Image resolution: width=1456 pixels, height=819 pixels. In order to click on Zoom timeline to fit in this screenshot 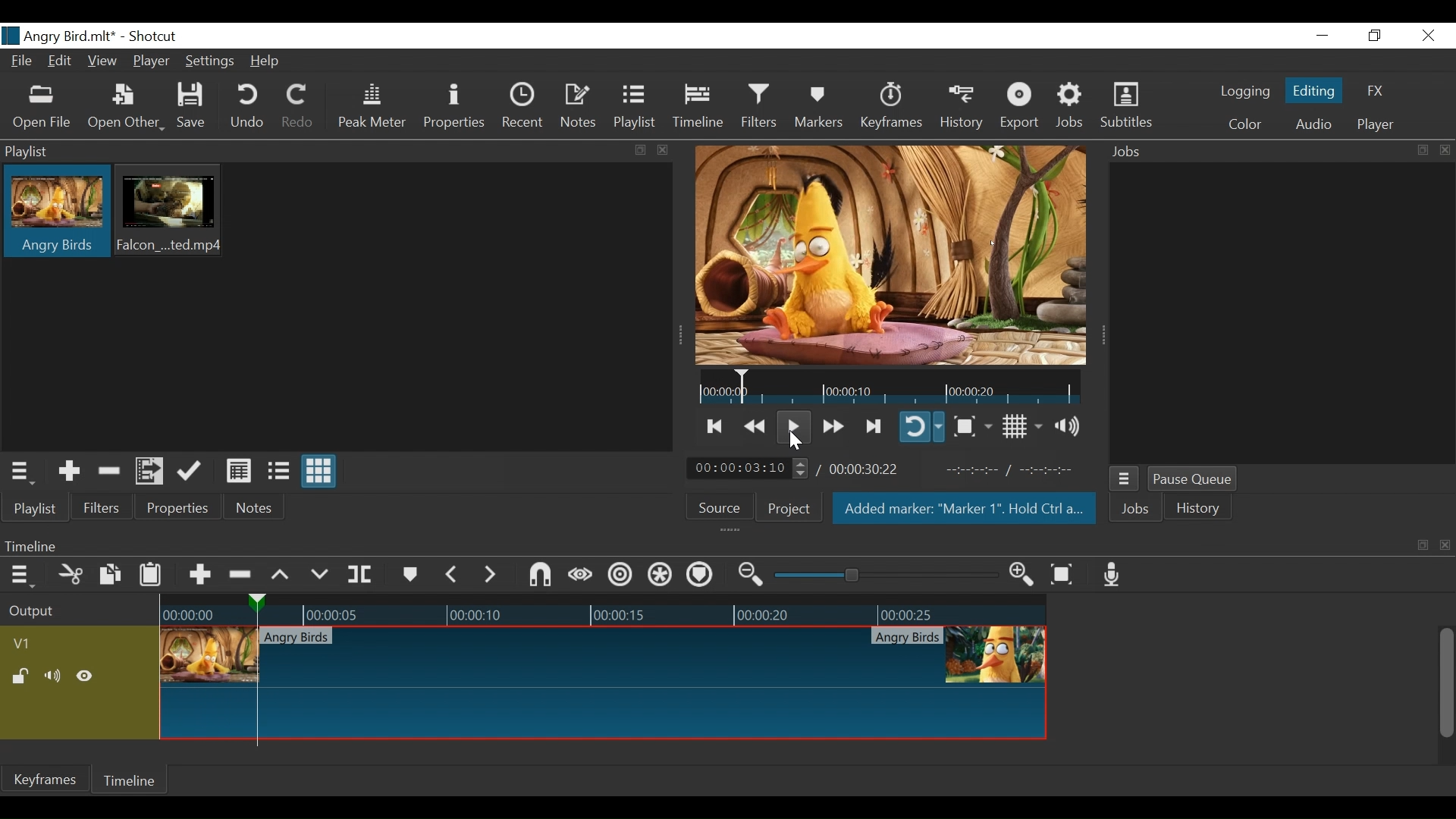, I will do `click(1062, 576)`.